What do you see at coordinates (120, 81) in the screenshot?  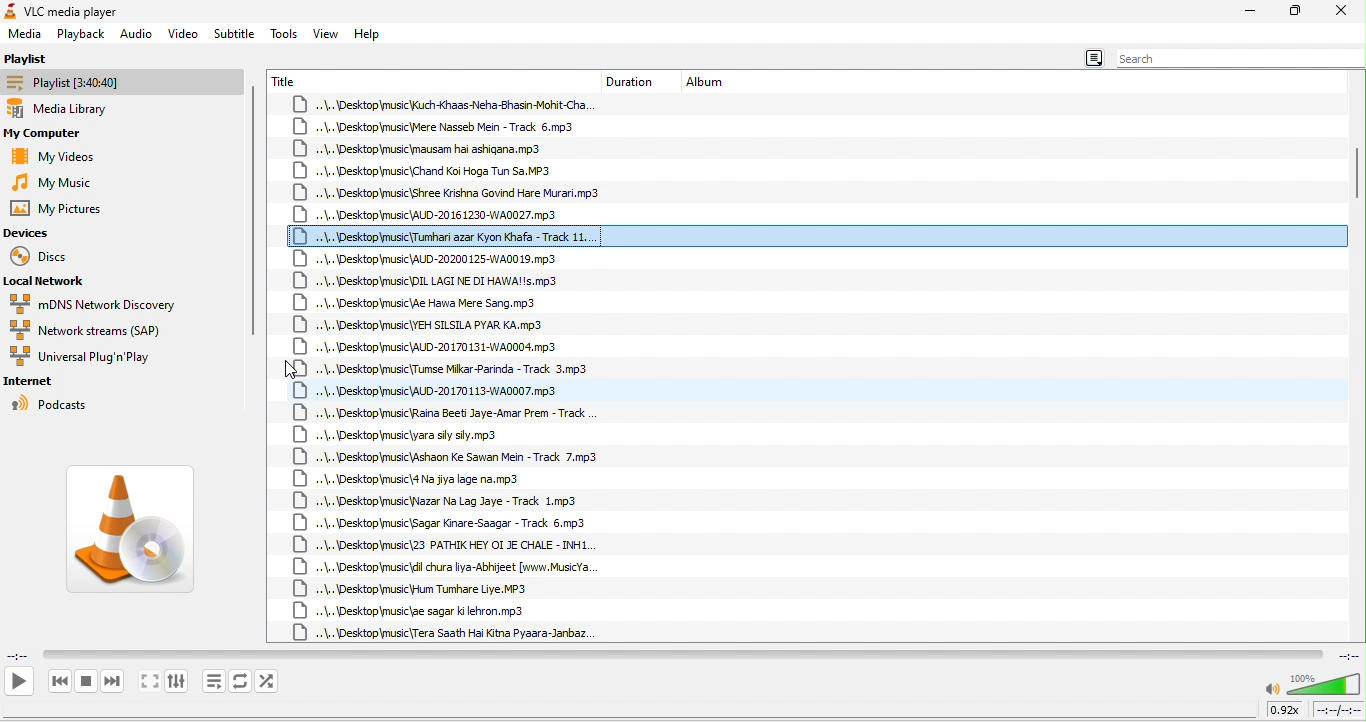 I see `playlist [3:34:32]` at bounding box center [120, 81].